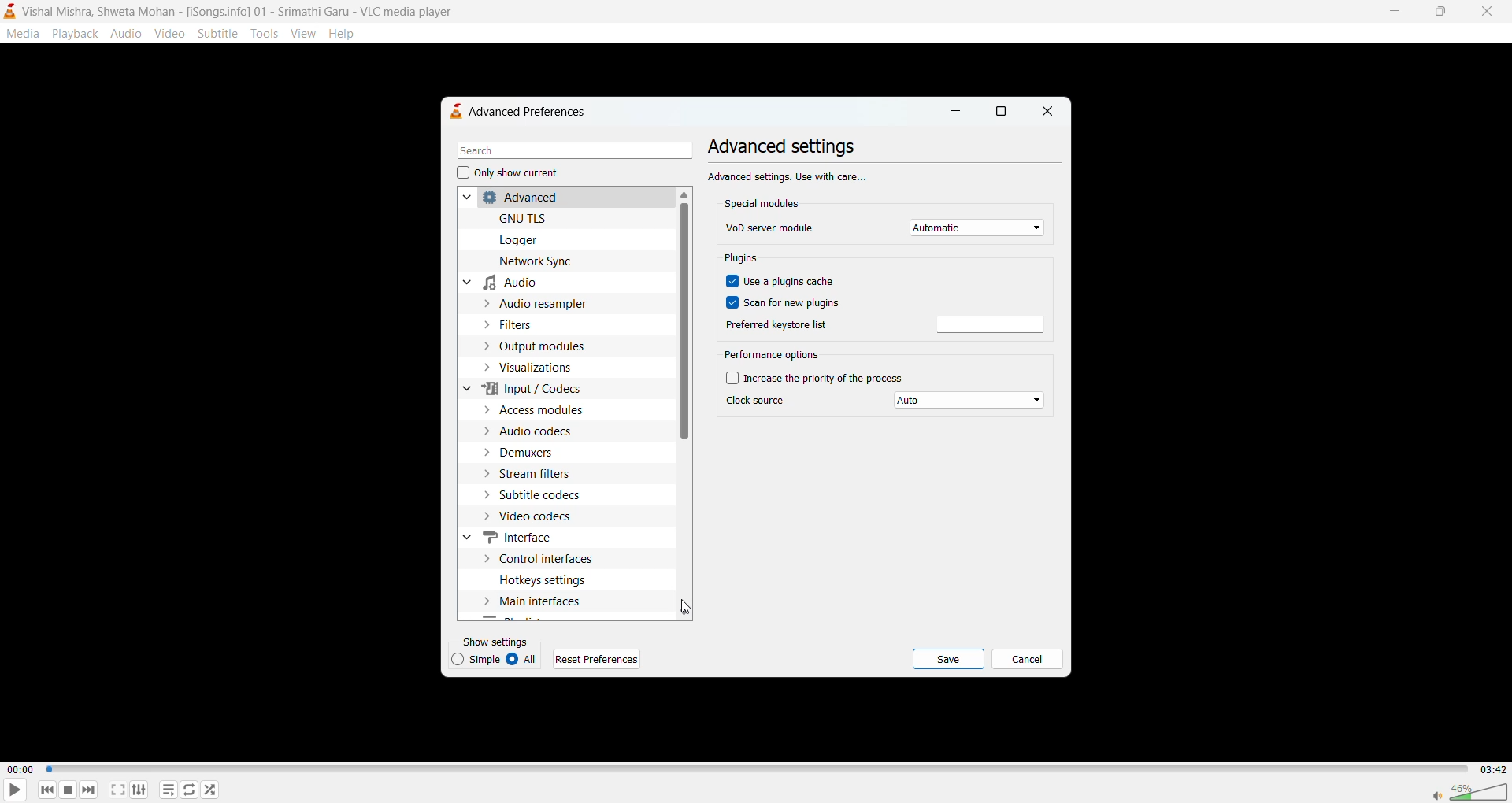 This screenshot has width=1512, height=803. Describe the element at coordinates (746, 261) in the screenshot. I see `plugins` at that location.